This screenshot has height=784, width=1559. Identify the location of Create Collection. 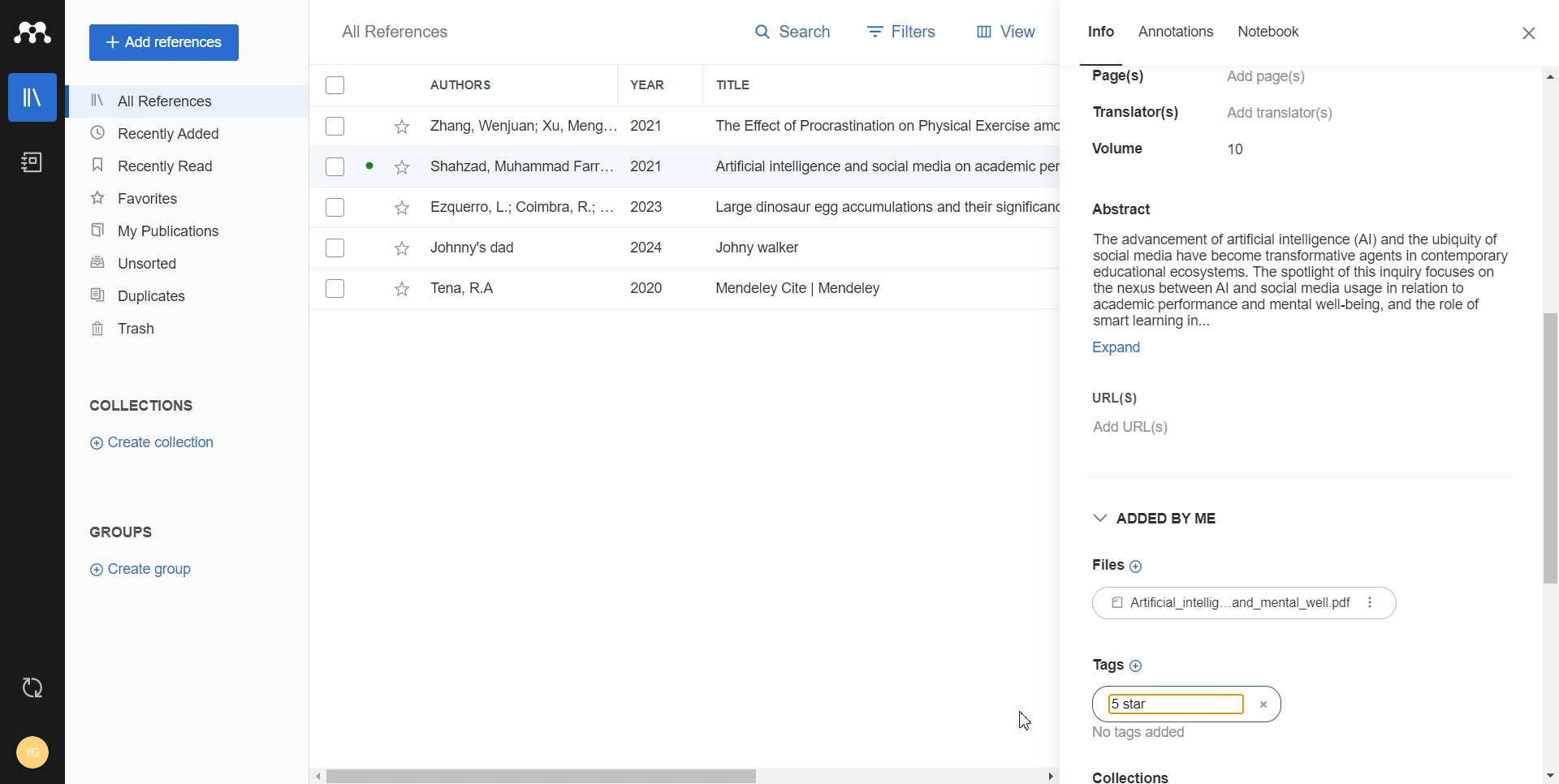
(154, 443).